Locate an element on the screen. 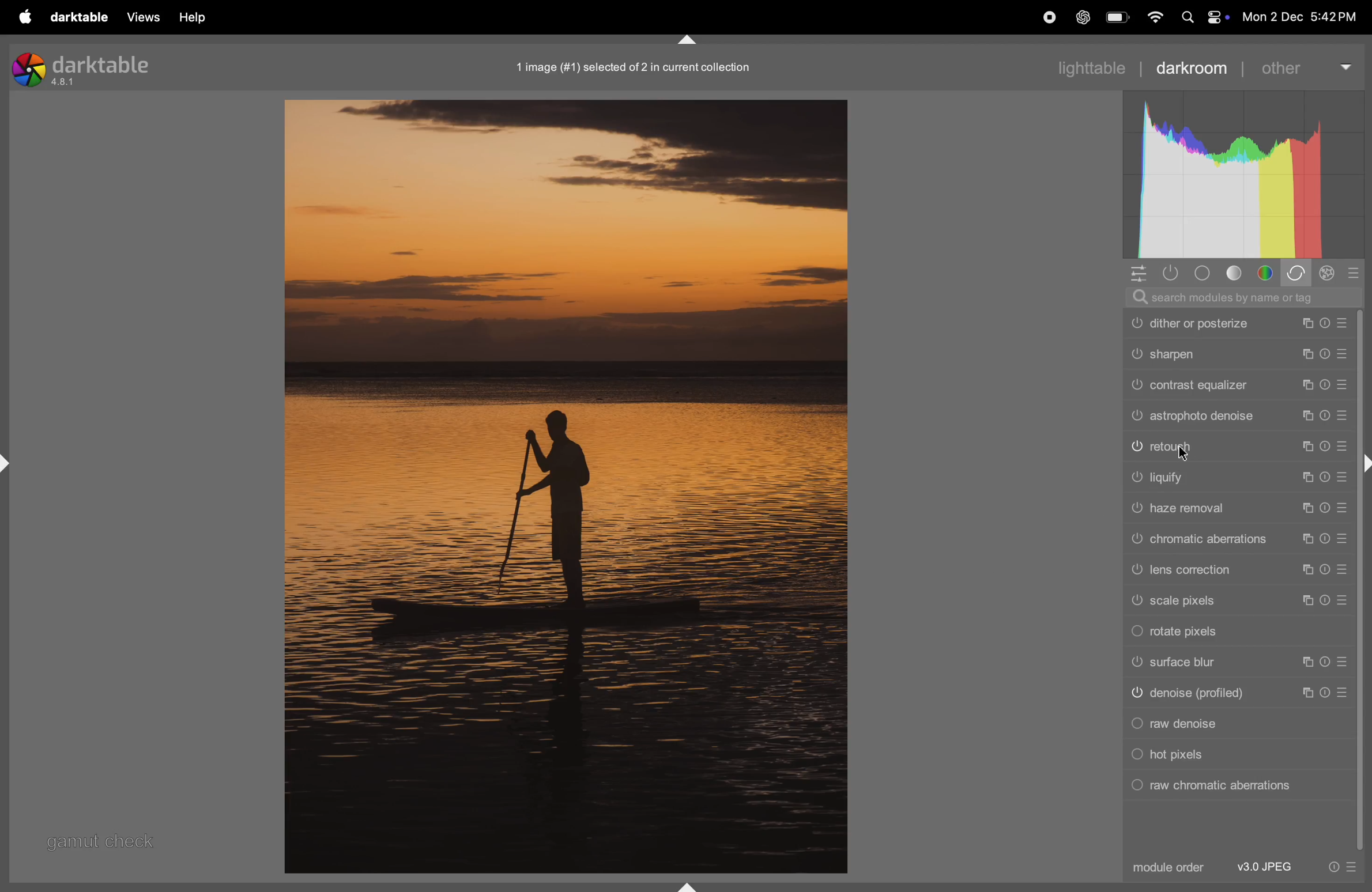 Image resolution: width=1372 pixels, height=892 pixels. scale pixels is located at coordinates (1238, 601).